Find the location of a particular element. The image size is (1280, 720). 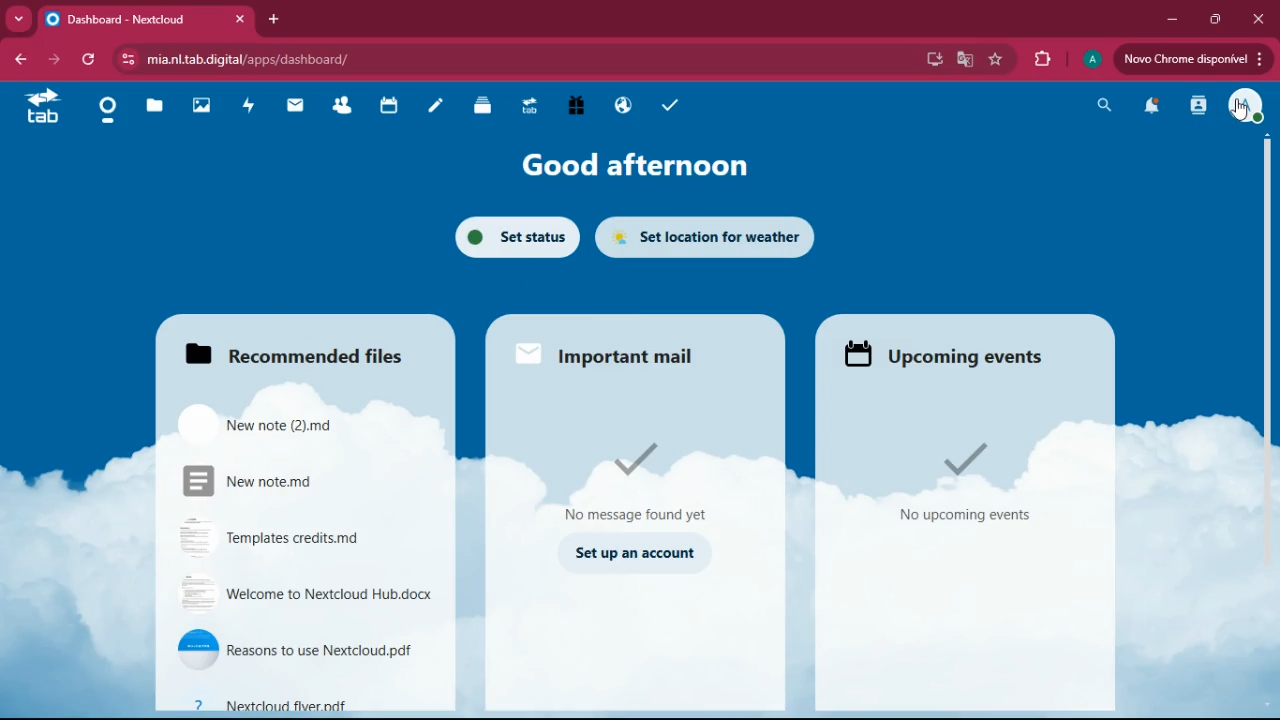

forward is located at coordinates (54, 59).